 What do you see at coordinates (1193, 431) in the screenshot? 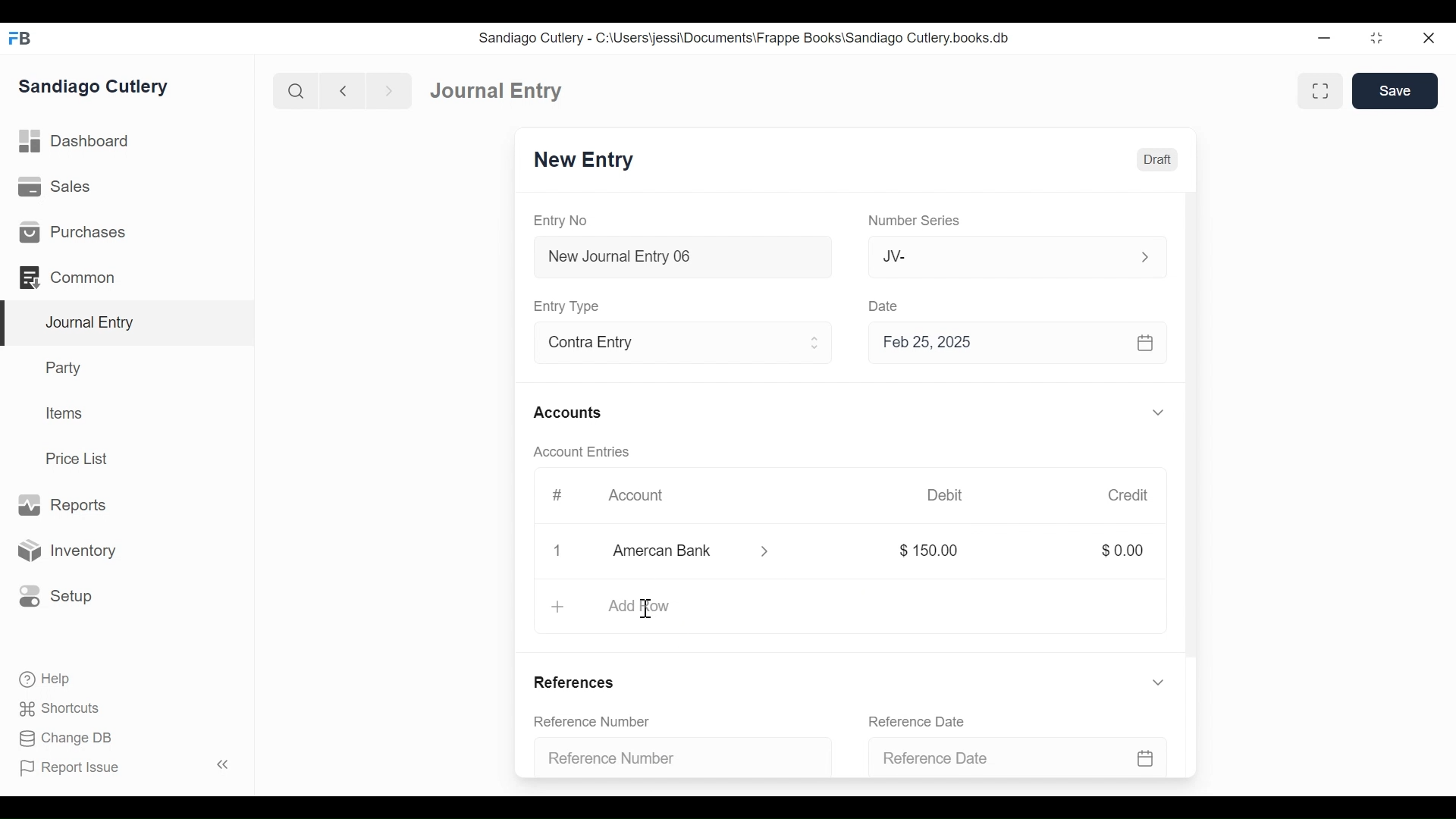
I see `Vertical Scroll bar` at bounding box center [1193, 431].